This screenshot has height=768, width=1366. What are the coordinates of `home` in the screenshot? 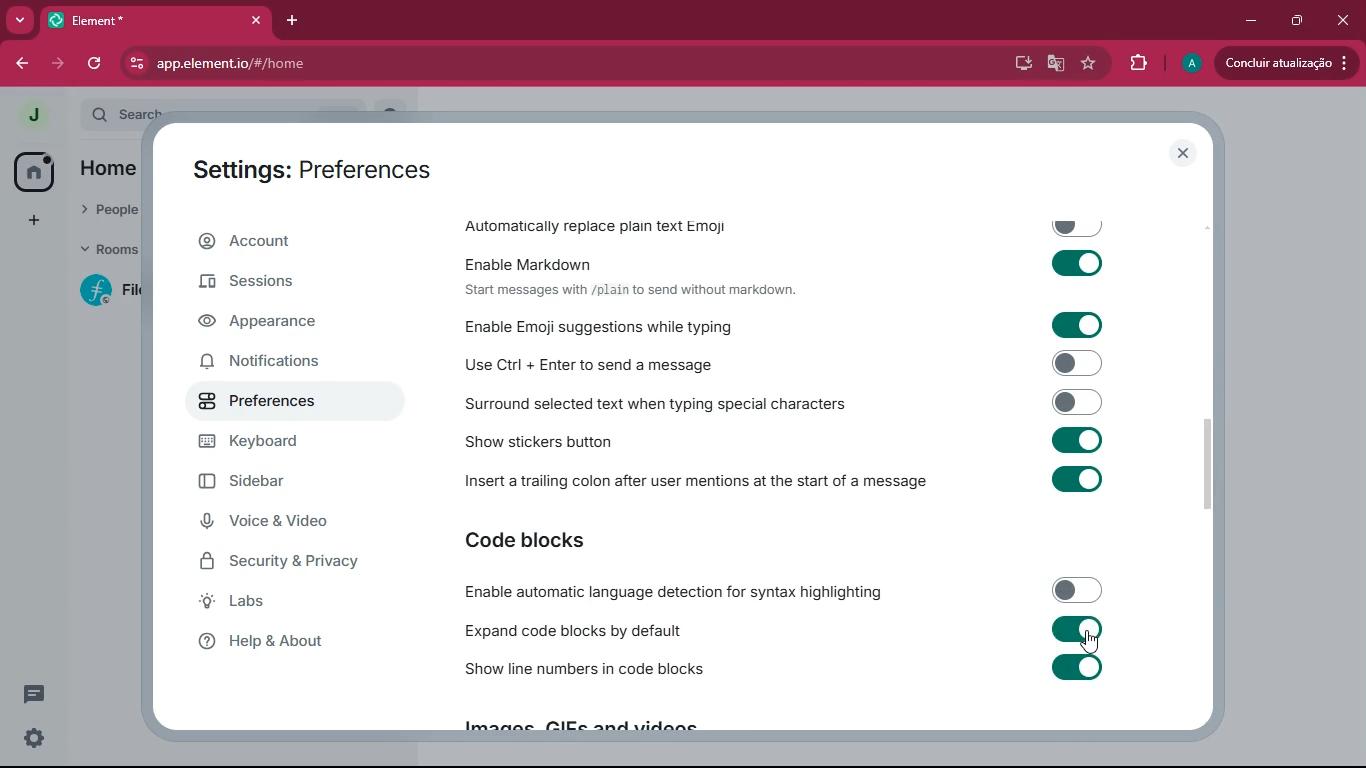 It's located at (114, 170).